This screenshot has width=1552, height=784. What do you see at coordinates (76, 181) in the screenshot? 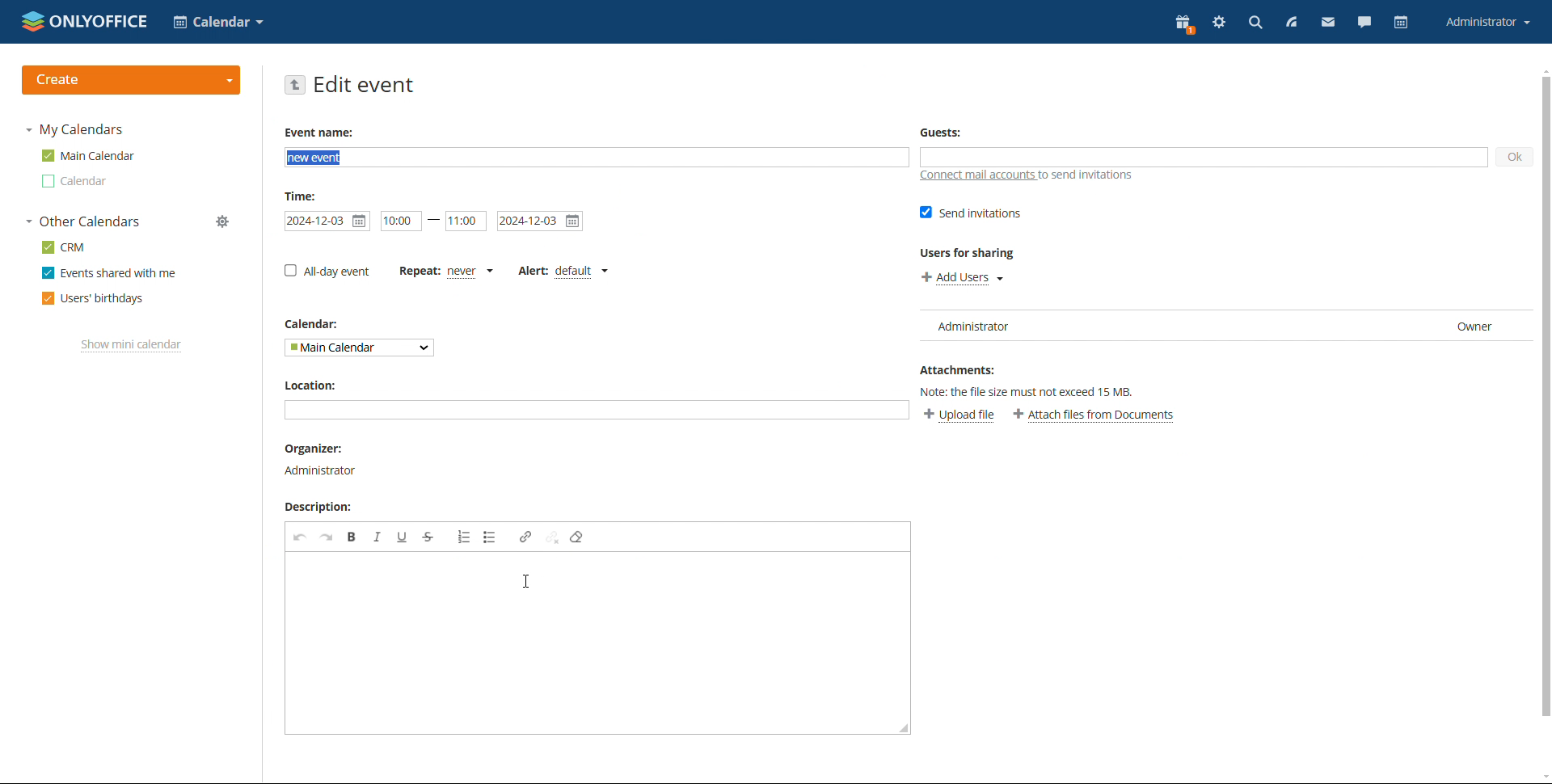
I see `other calendar` at bounding box center [76, 181].